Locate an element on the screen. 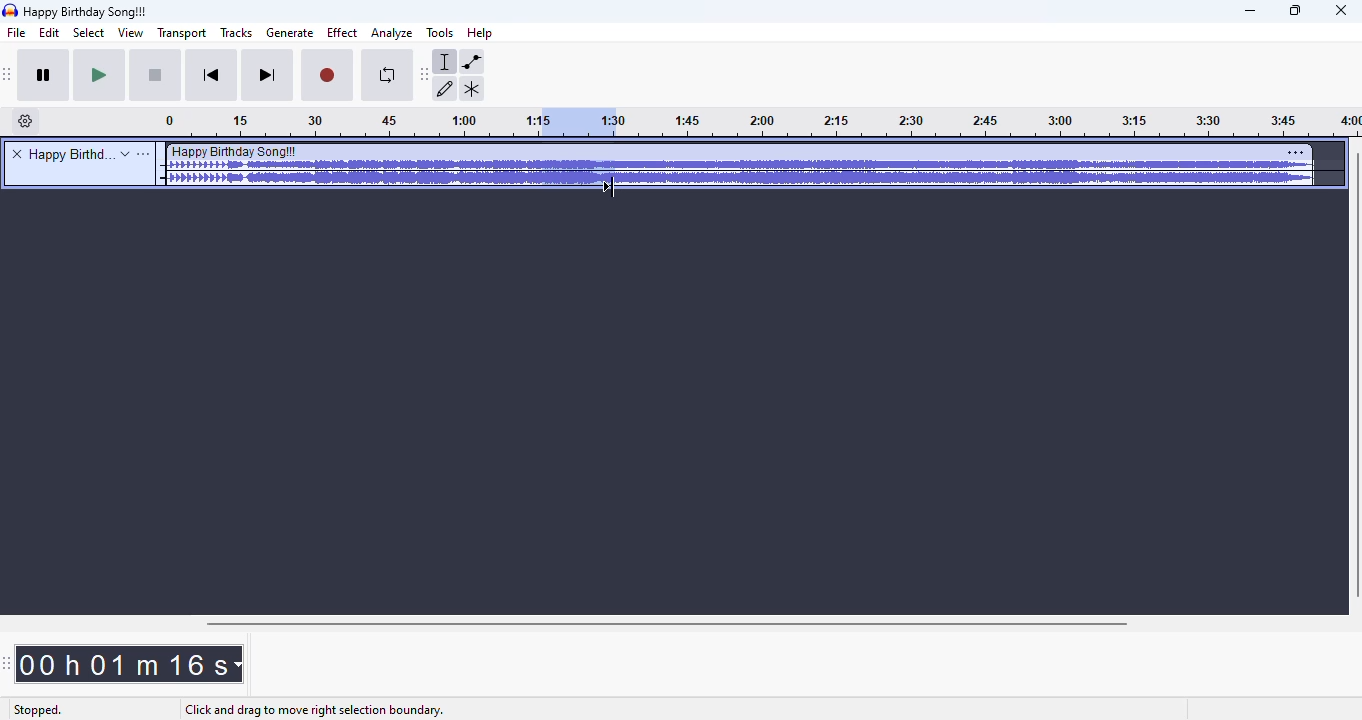 The width and height of the screenshot is (1362, 720). edit is located at coordinates (52, 33).